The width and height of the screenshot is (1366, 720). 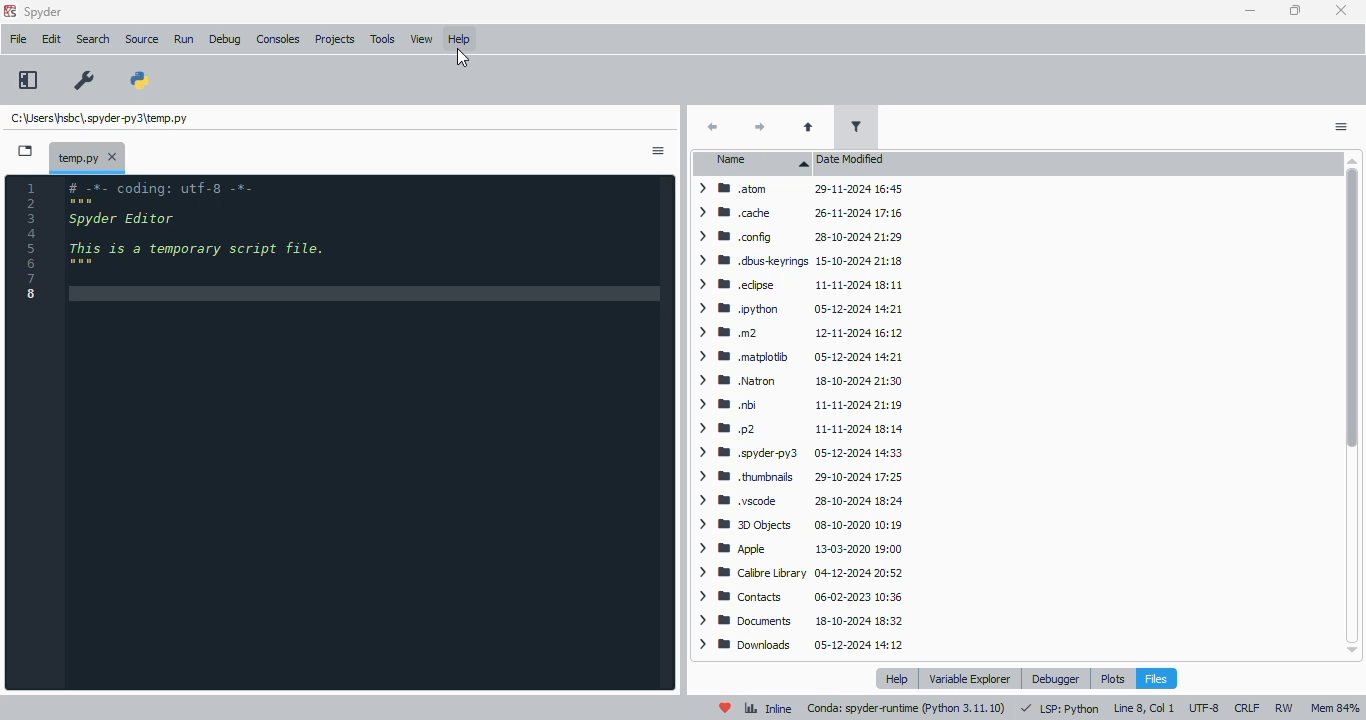 What do you see at coordinates (458, 40) in the screenshot?
I see `help` at bounding box center [458, 40].